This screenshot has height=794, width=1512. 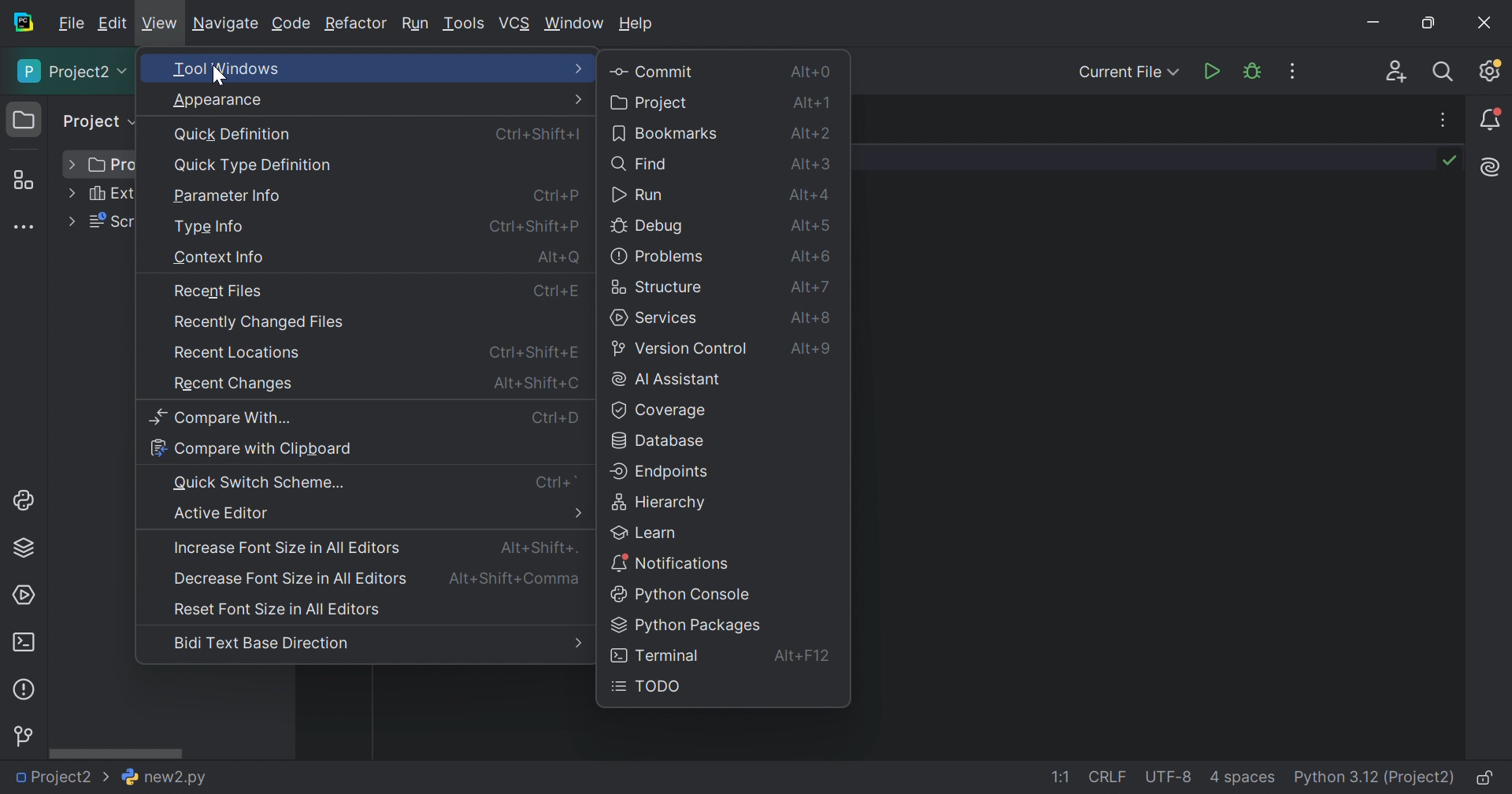 What do you see at coordinates (24, 227) in the screenshot?
I see `More tool windows` at bounding box center [24, 227].